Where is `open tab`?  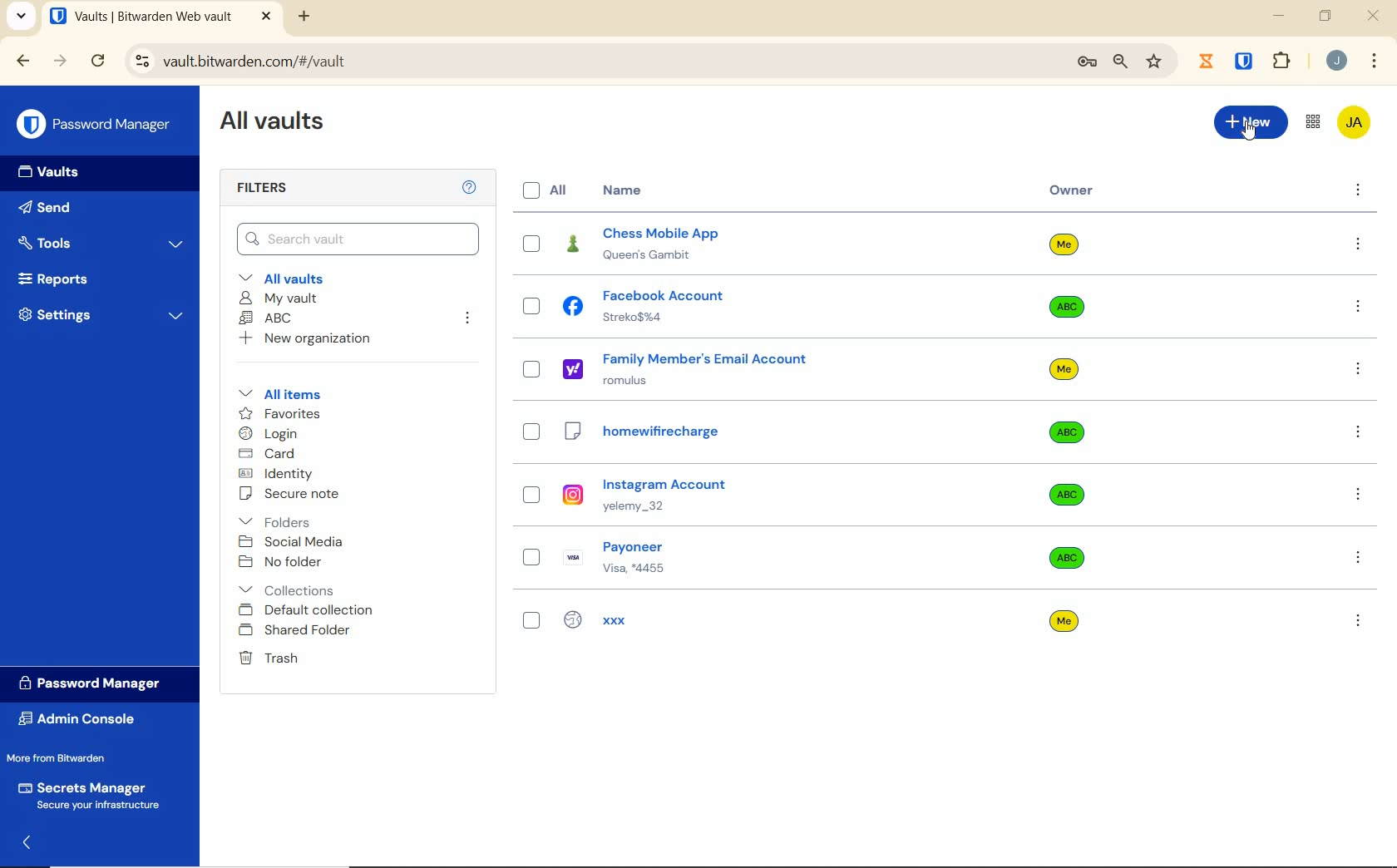 open tab is located at coordinates (141, 17).